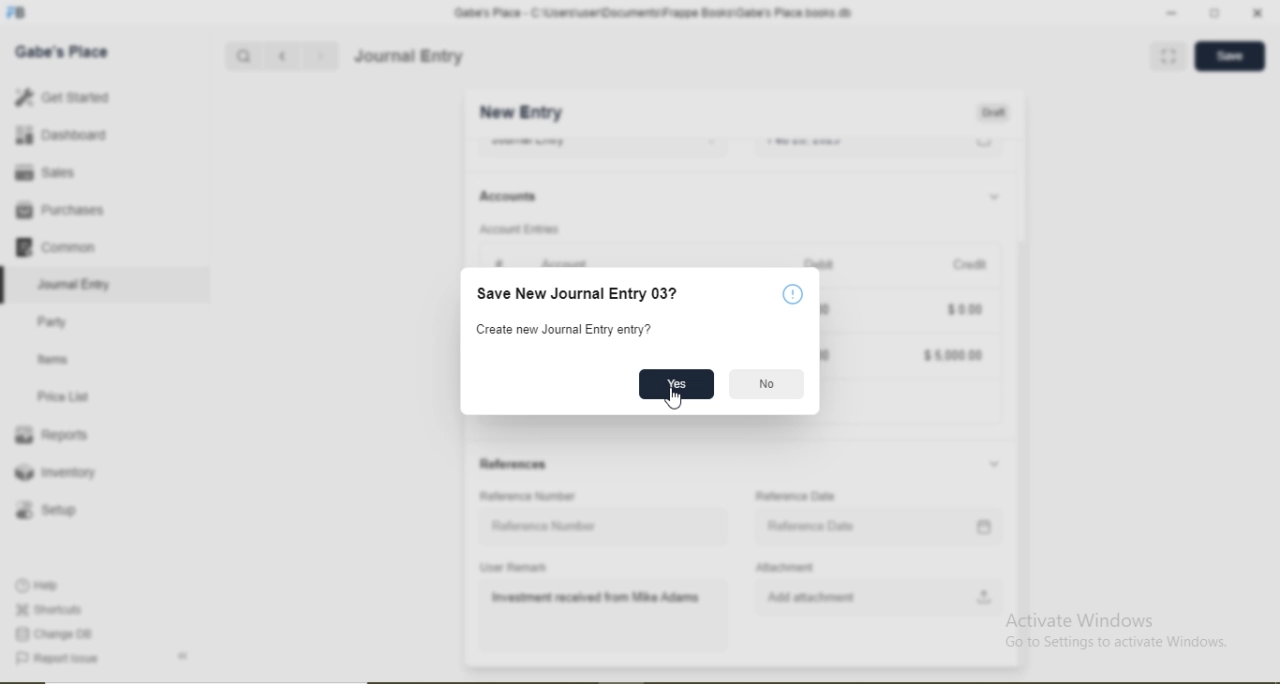  What do you see at coordinates (994, 464) in the screenshot?
I see `Dropdown` at bounding box center [994, 464].